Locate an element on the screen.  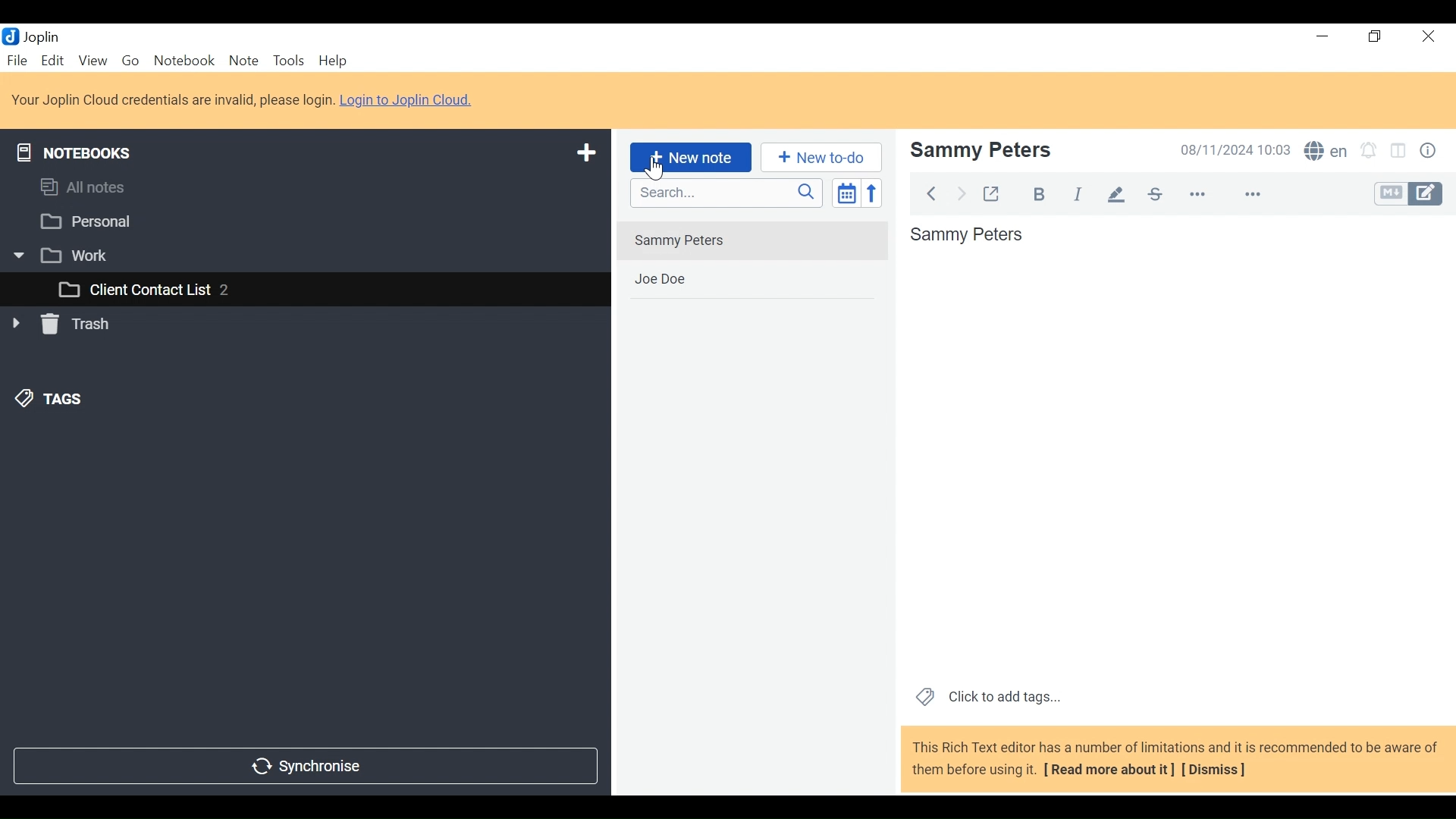
Trash is located at coordinates (64, 327).